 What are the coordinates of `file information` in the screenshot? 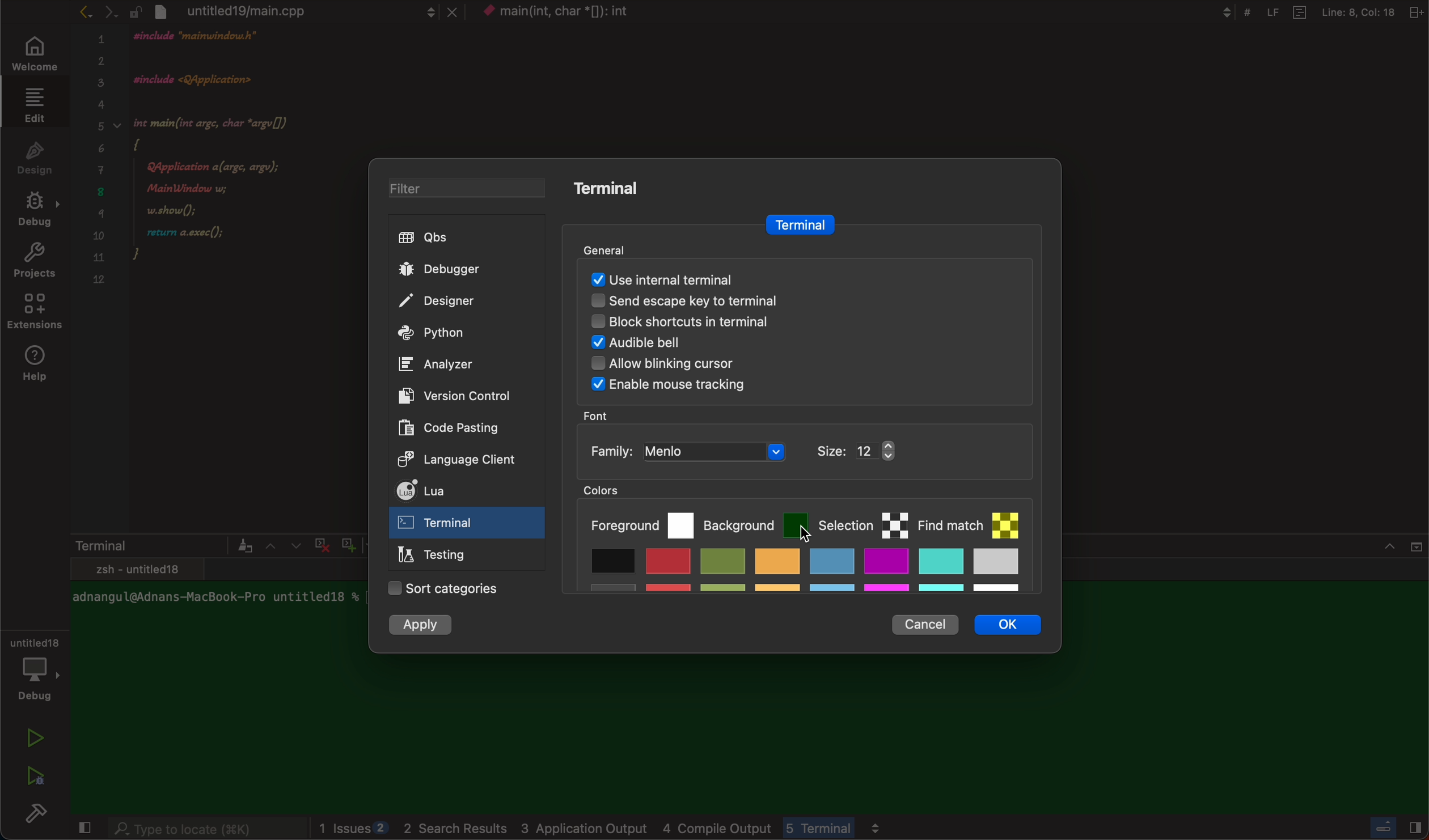 It's located at (1313, 12).